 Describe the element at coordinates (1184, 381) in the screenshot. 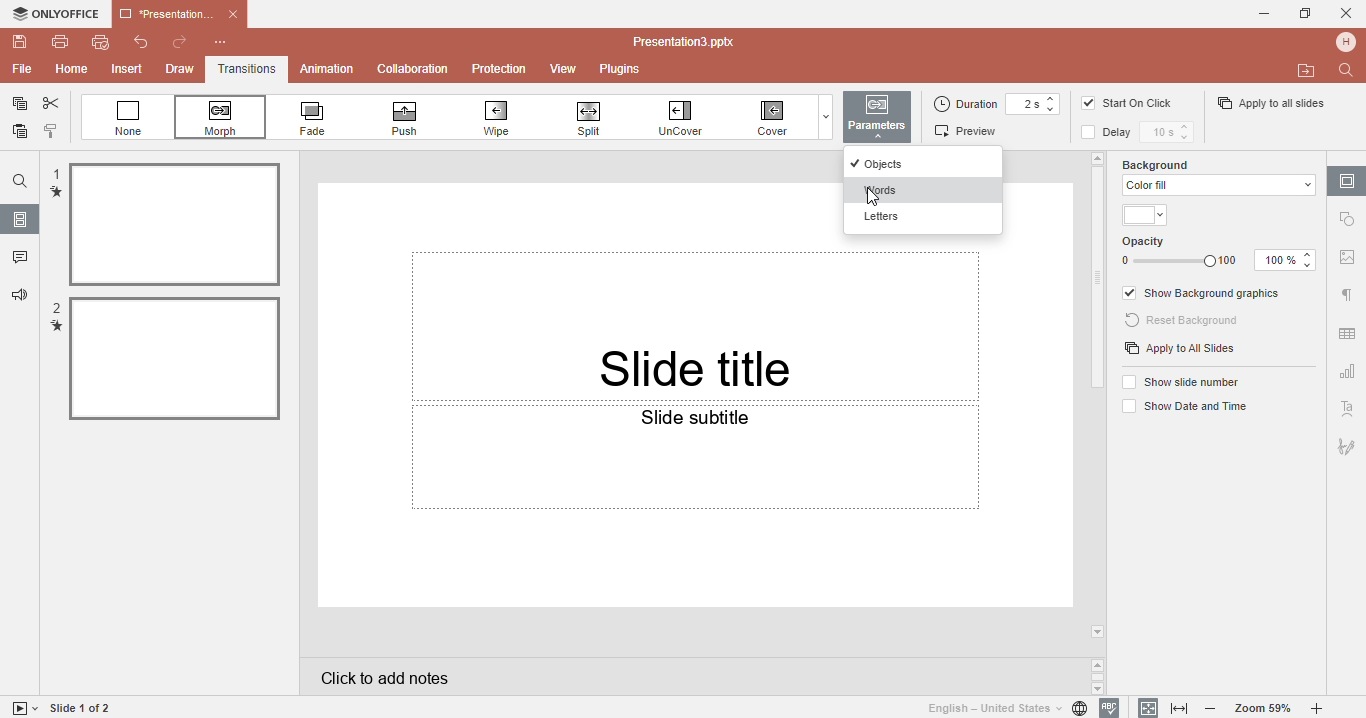

I see `Show slide numbers` at that location.